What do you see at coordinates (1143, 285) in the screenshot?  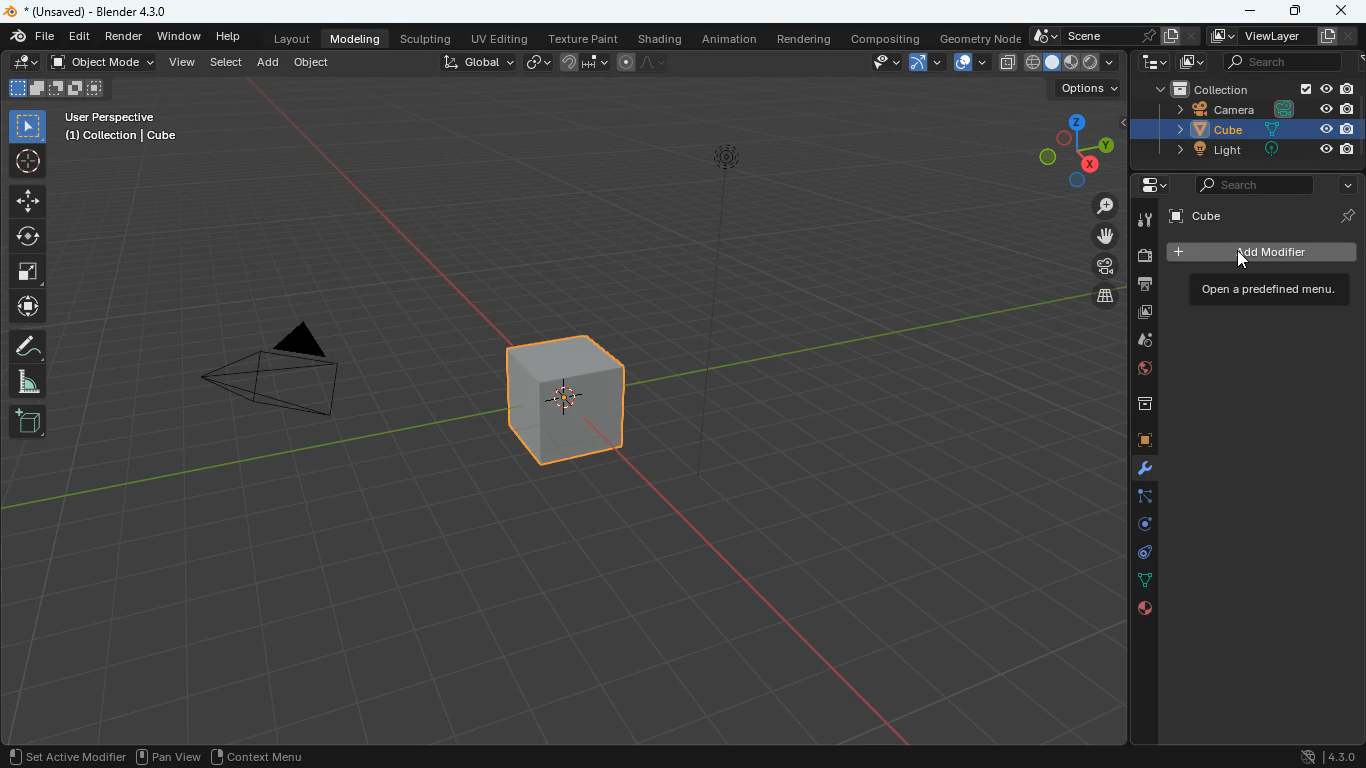 I see `print` at bounding box center [1143, 285].